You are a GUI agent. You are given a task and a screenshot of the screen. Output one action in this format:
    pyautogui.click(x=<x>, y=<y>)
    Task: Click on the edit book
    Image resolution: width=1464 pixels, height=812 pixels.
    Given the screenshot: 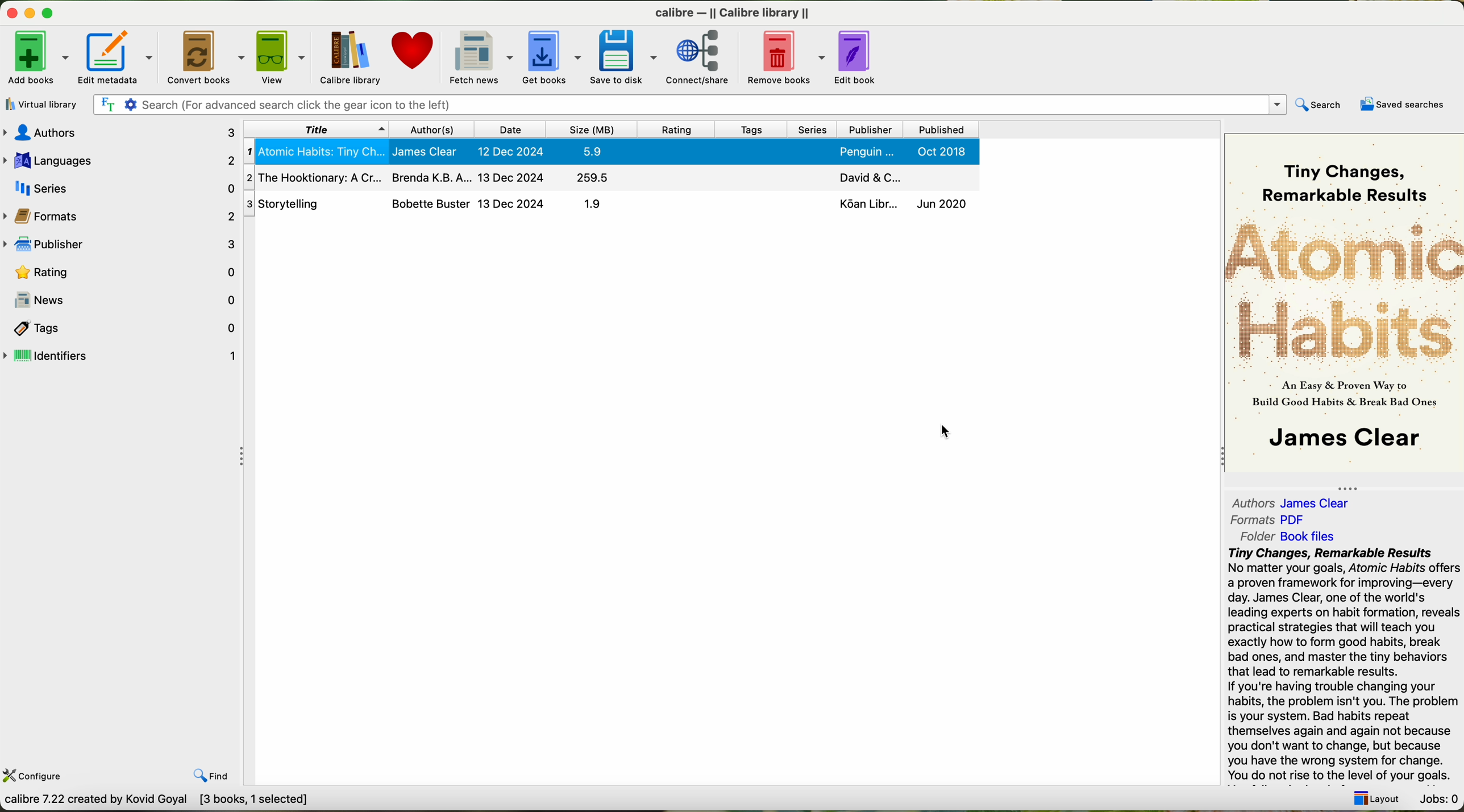 What is the action you would take?
    pyautogui.click(x=863, y=57)
    